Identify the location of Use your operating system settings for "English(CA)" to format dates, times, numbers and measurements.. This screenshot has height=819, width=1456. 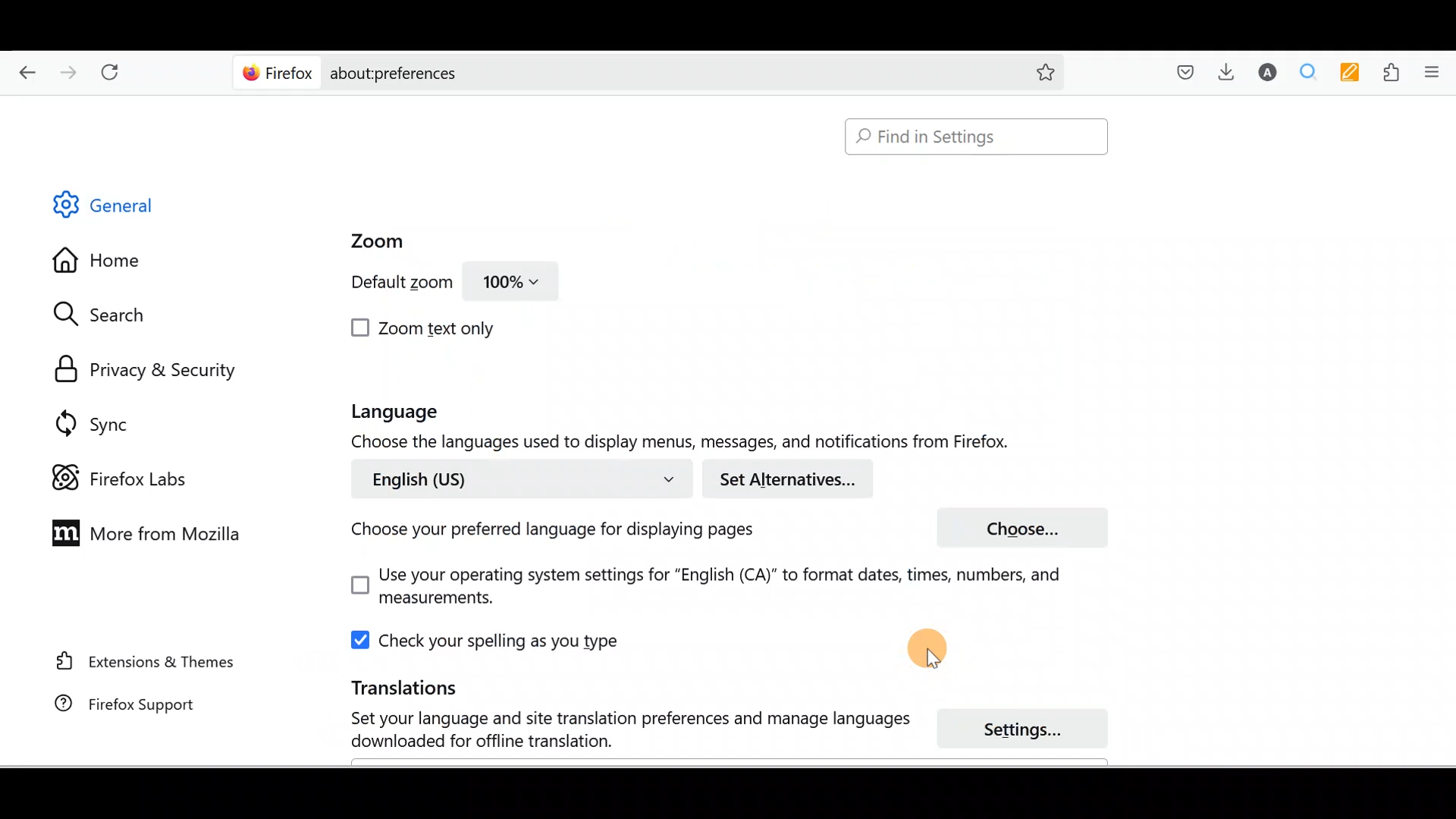
(691, 588).